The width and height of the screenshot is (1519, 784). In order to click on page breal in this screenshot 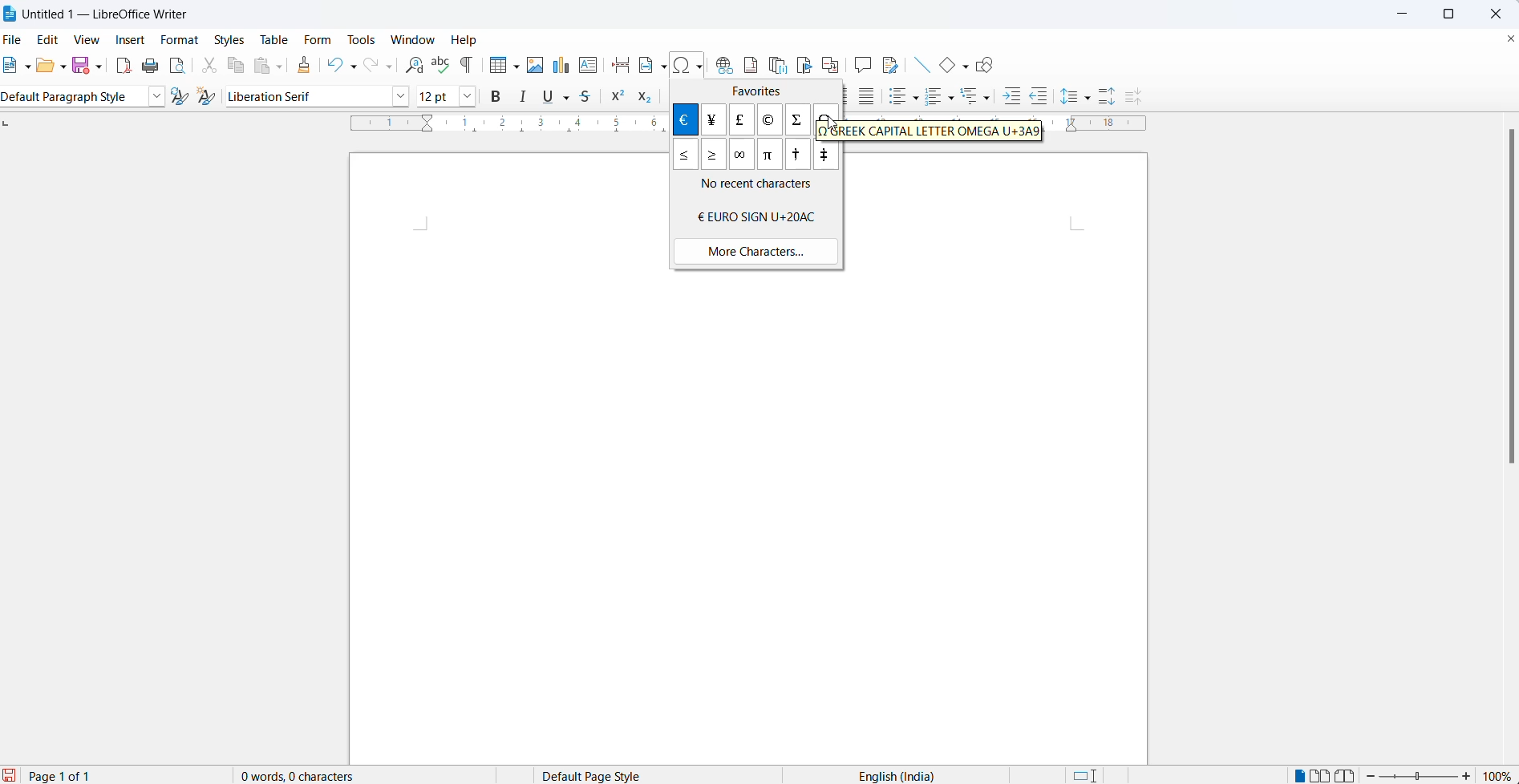, I will do `click(617, 64)`.